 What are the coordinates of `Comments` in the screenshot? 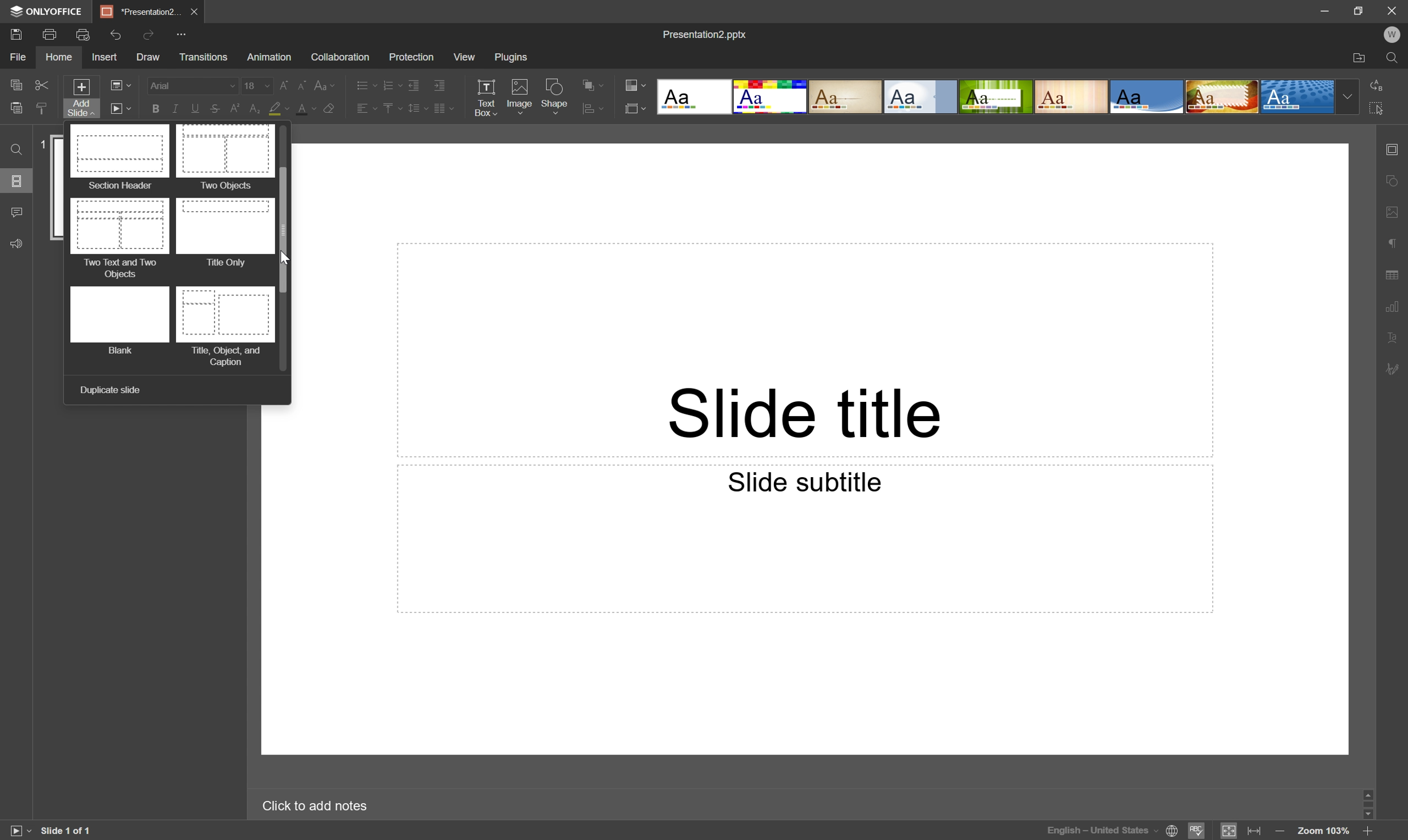 It's located at (16, 212).